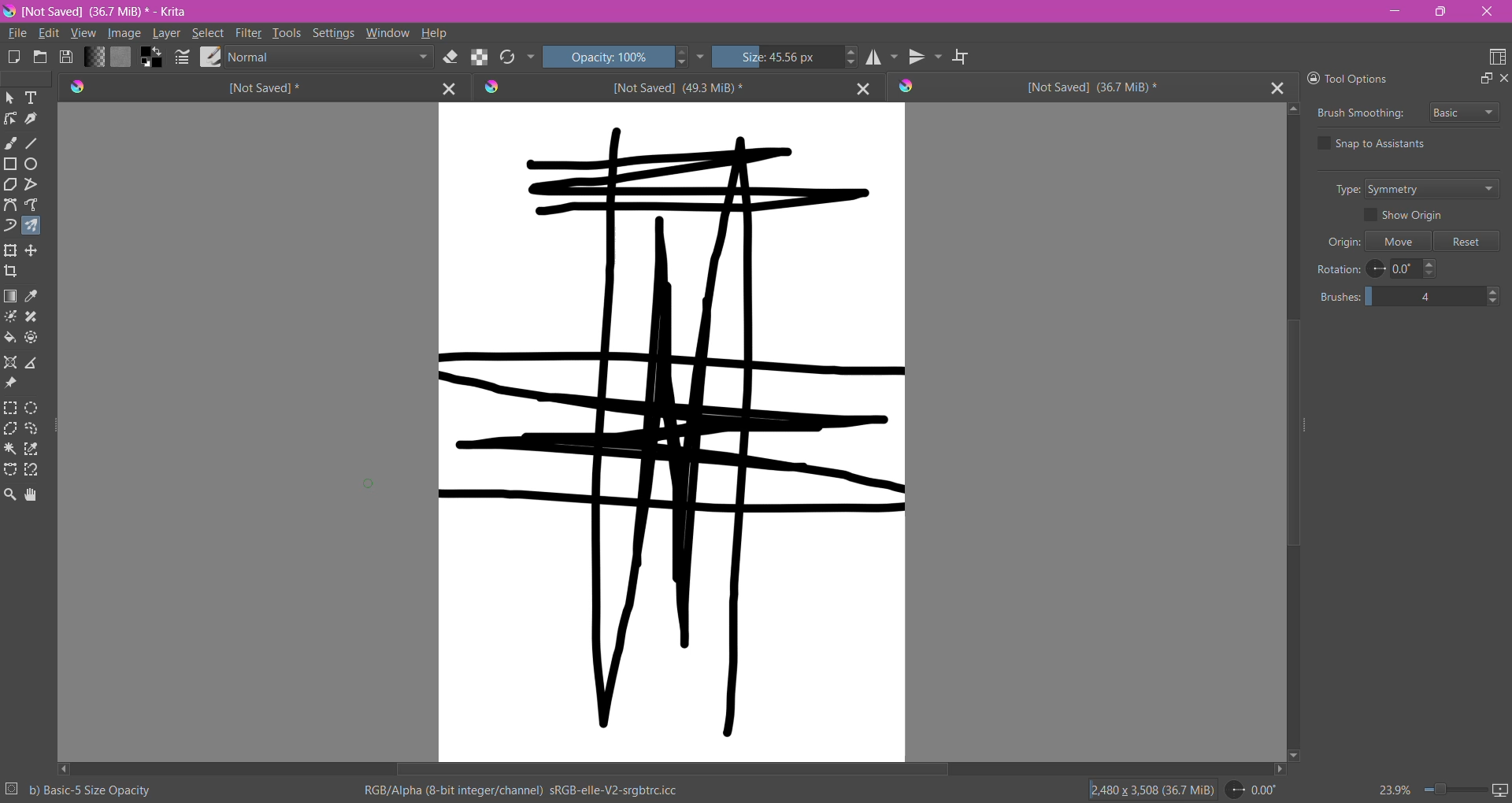 This screenshot has width=1512, height=803. Describe the element at coordinates (1496, 57) in the screenshot. I see `Choose Workspace` at that location.